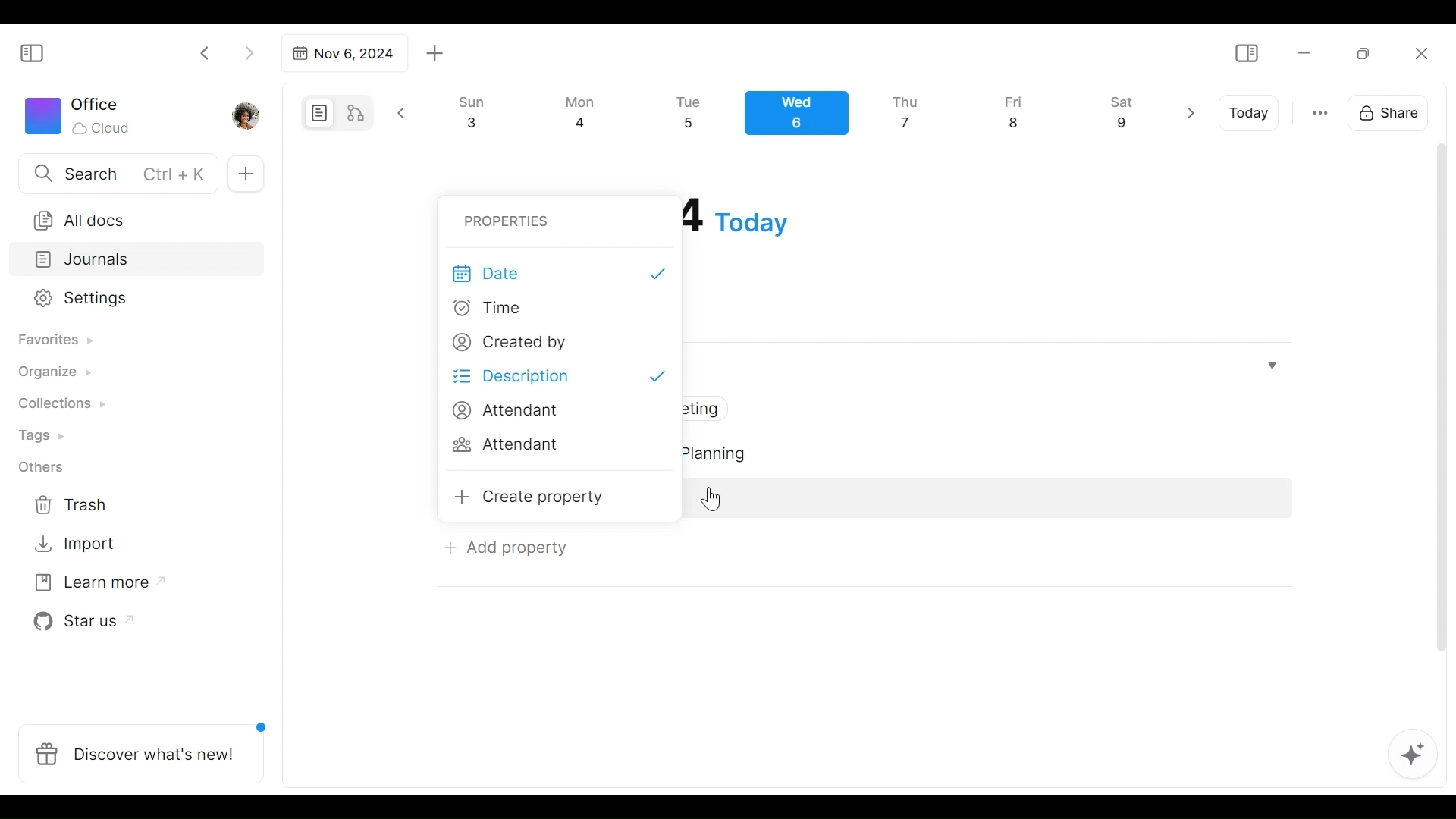 The height and width of the screenshot is (819, 1456). Describe the element at coordinates (92, 585) in the screenshot. I see `Learn more` at that location.